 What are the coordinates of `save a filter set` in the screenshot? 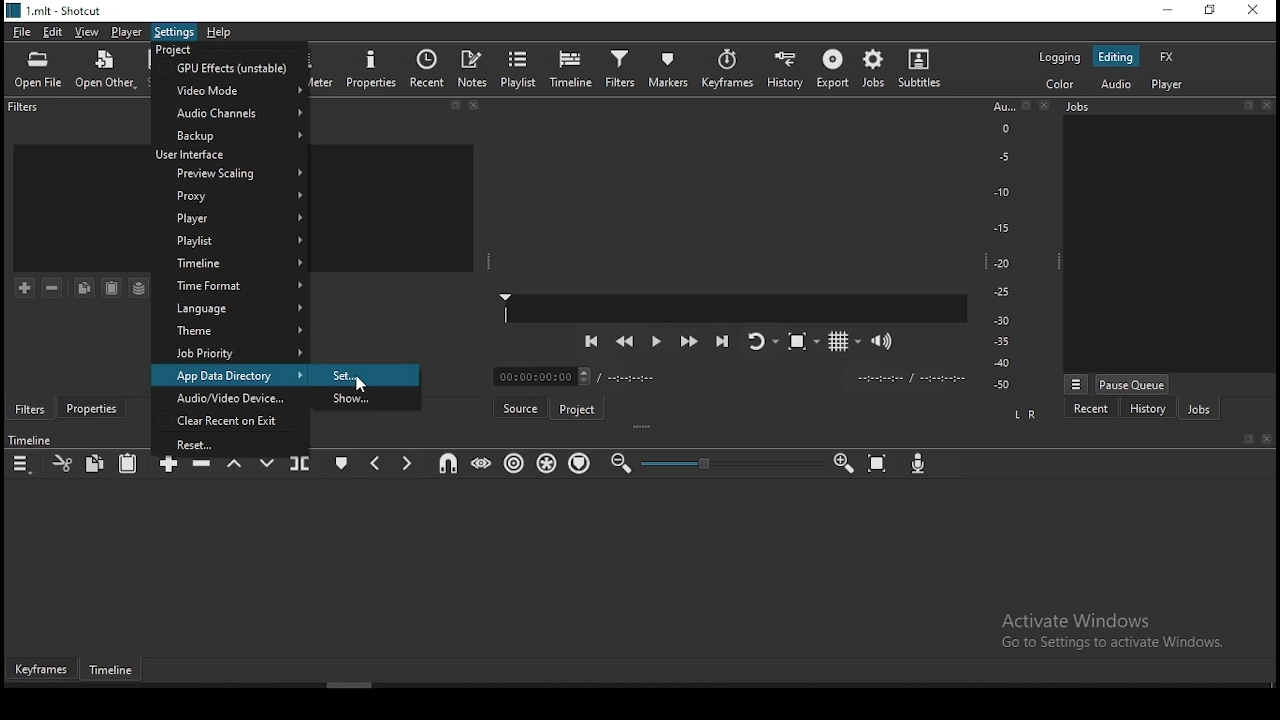 It's located at (139, 288).